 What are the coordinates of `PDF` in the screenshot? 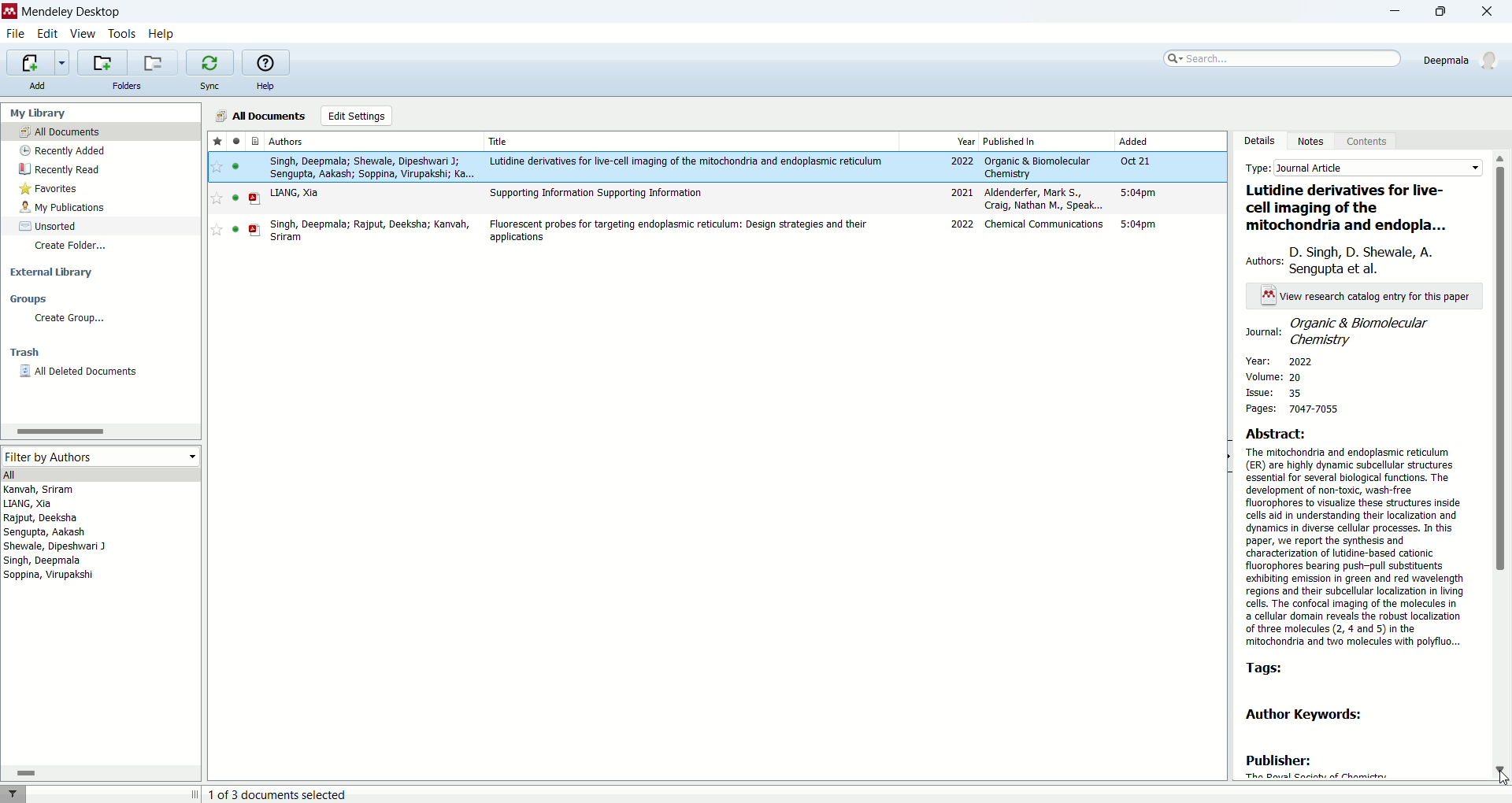 It's located at (255, 199).